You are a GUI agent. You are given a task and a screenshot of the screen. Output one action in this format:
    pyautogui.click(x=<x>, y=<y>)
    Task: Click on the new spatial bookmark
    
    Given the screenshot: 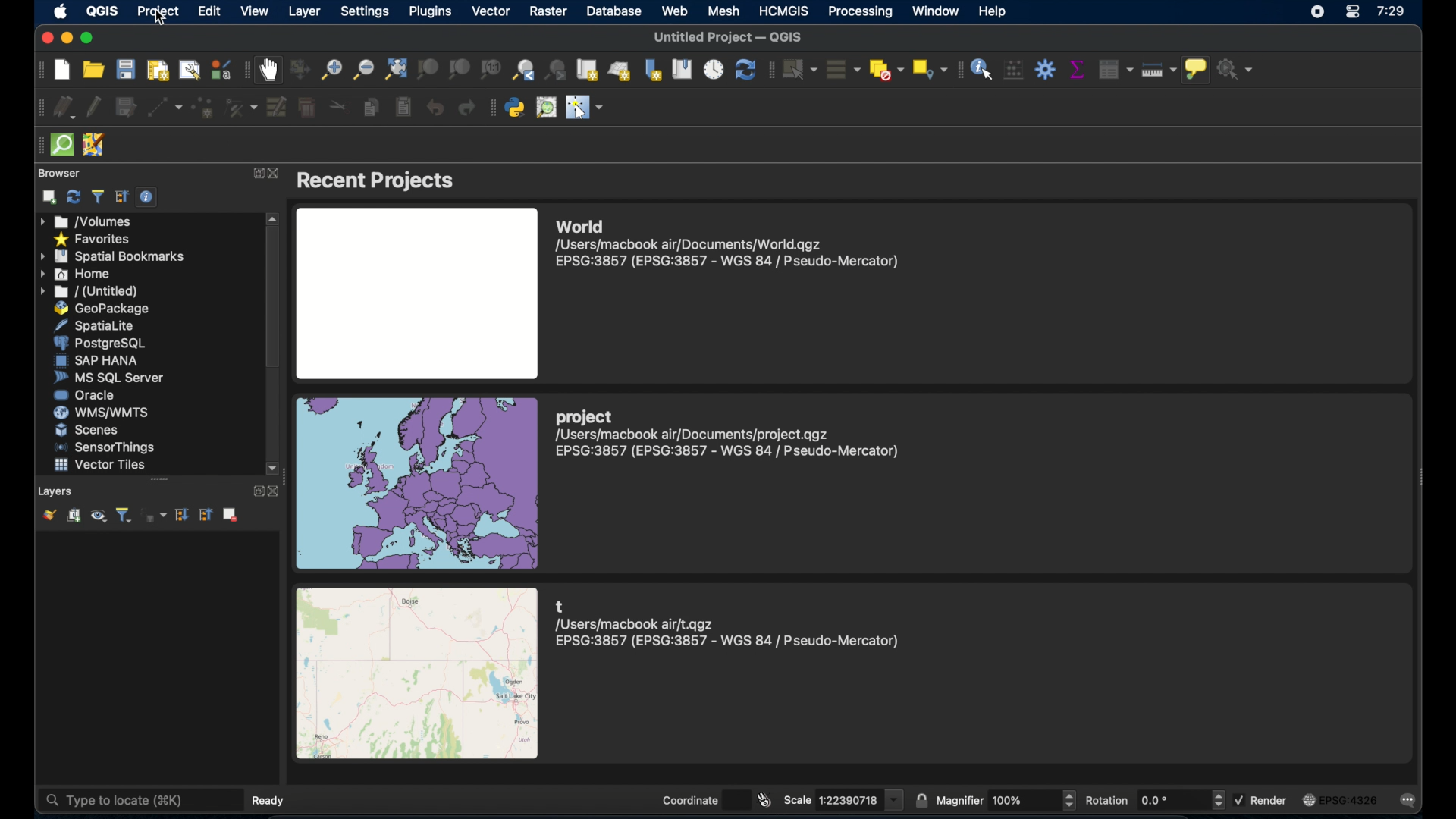 What is the action you would take?
    pyautogui.click(x=650, y=70)
    